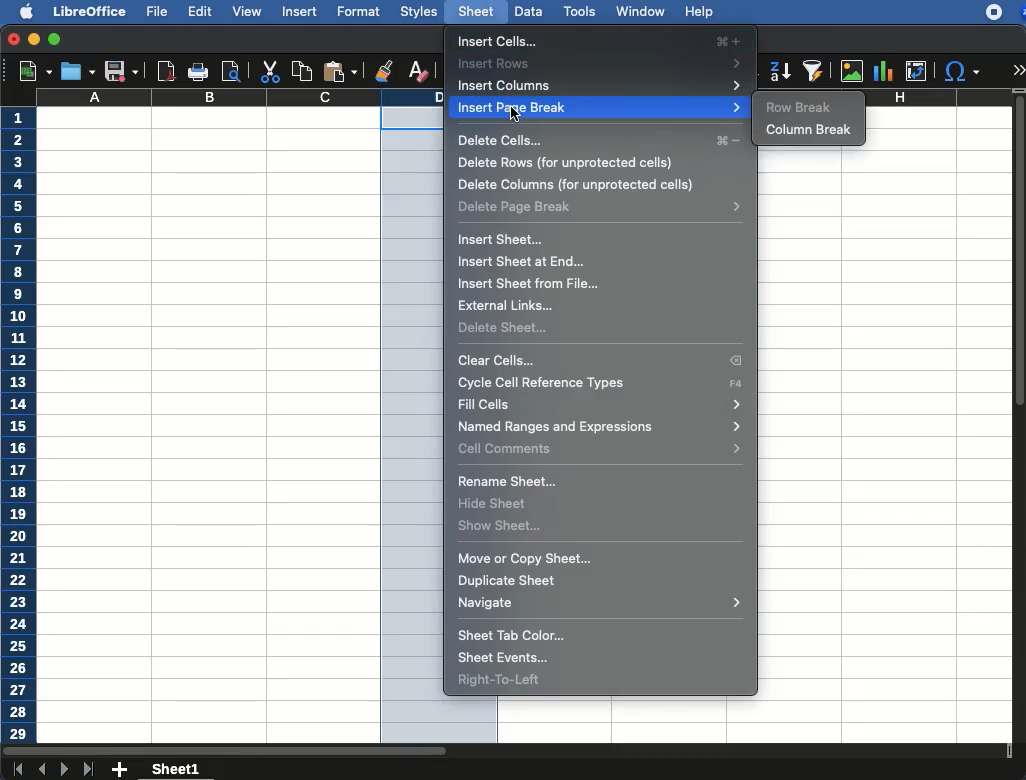  What do you see at coordinates (508, 583) in the screenshot?
I see `duplicate sheet` at bounding box center [508, 583].